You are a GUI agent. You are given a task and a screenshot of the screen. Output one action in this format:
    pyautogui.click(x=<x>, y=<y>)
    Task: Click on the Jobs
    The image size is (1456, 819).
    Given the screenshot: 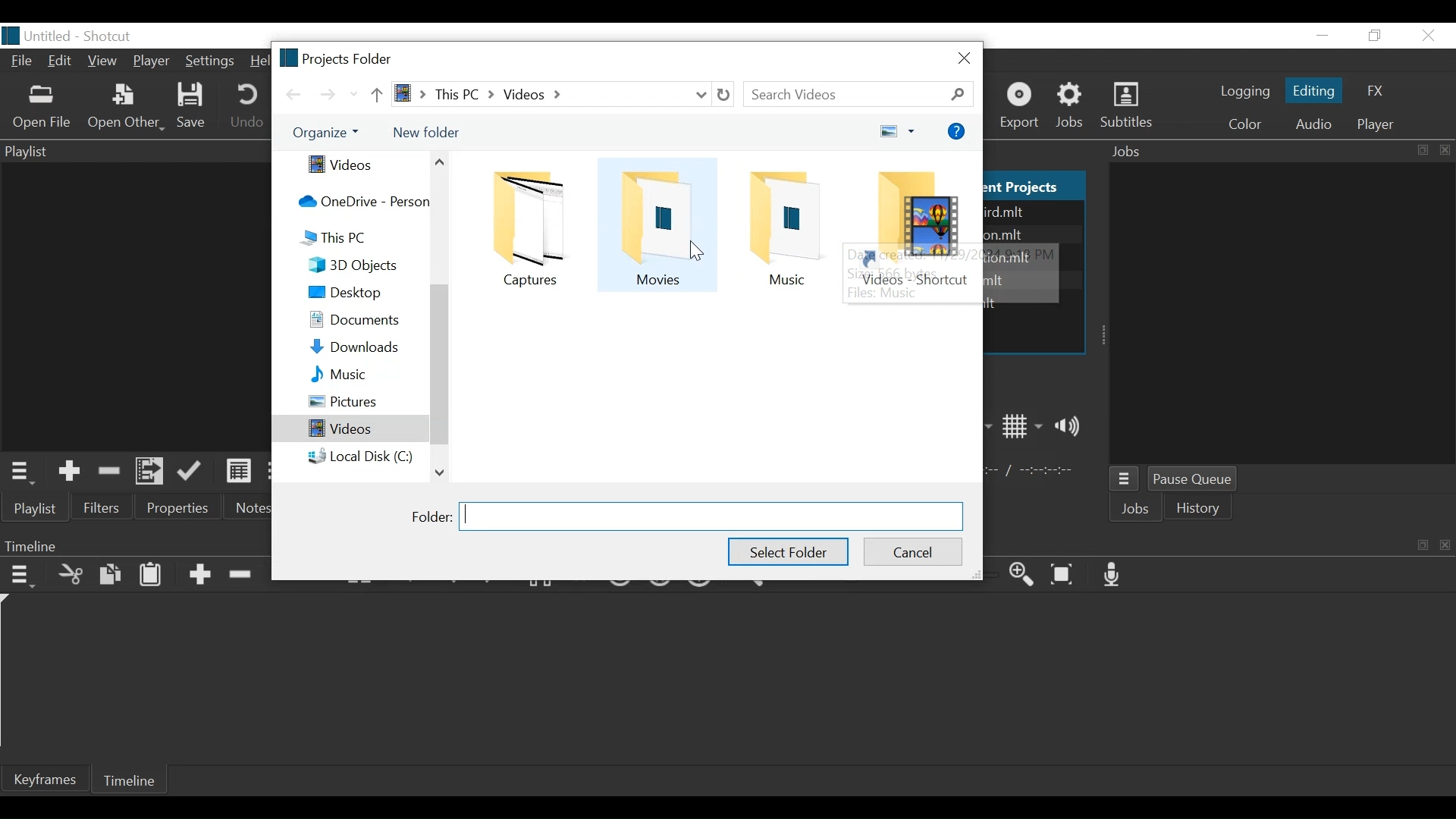 What is the action you would take?
    pyautogui.click(x=1138, y=510)
    